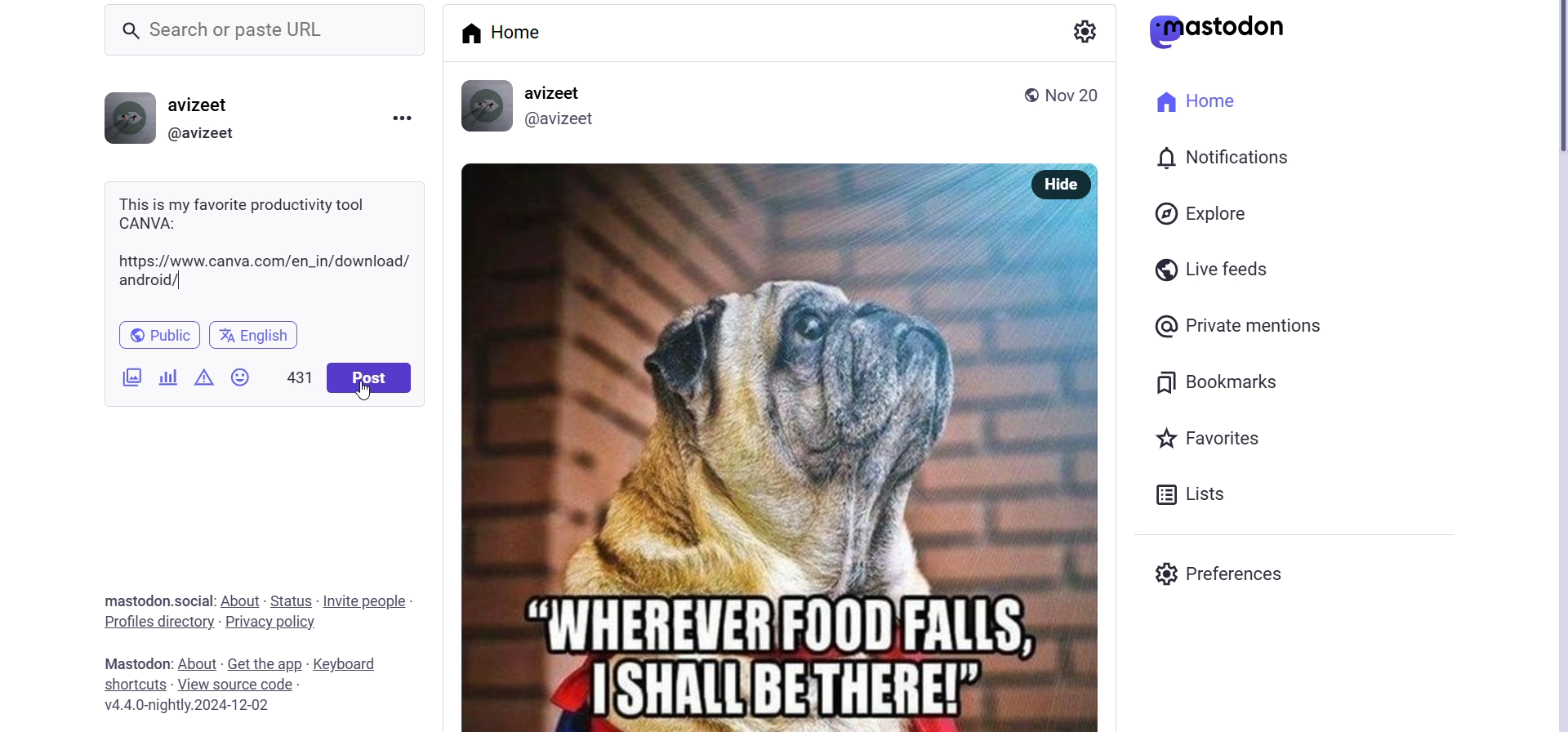  What do you see at coordinates (366, 596) in the screenshot?
I see `invite people` at bounding box center [366, 596].